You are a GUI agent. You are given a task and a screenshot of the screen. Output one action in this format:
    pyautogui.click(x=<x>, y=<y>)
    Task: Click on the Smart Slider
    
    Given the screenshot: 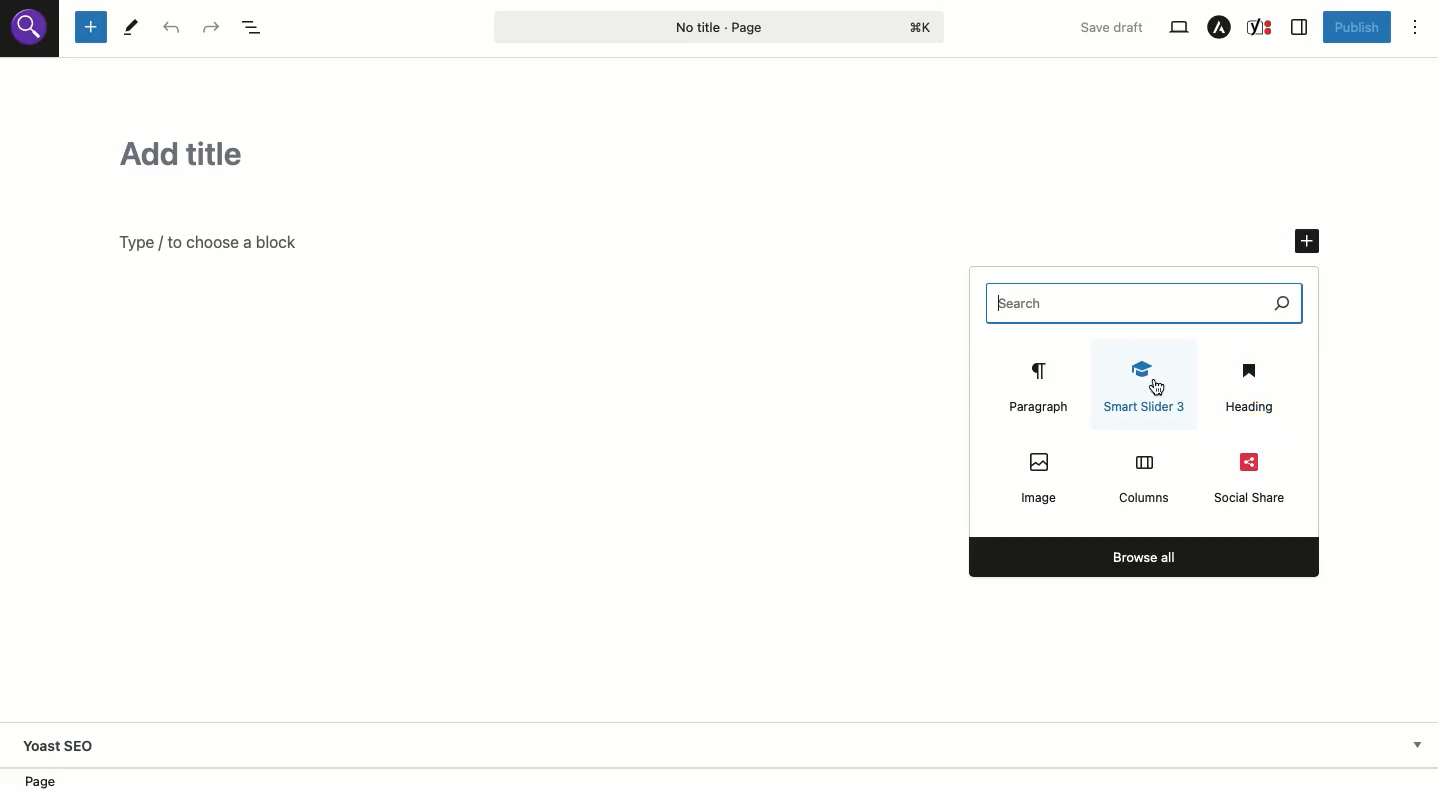 What is the action you would take?
    pyautogui.click(x=1149, y=386)
    